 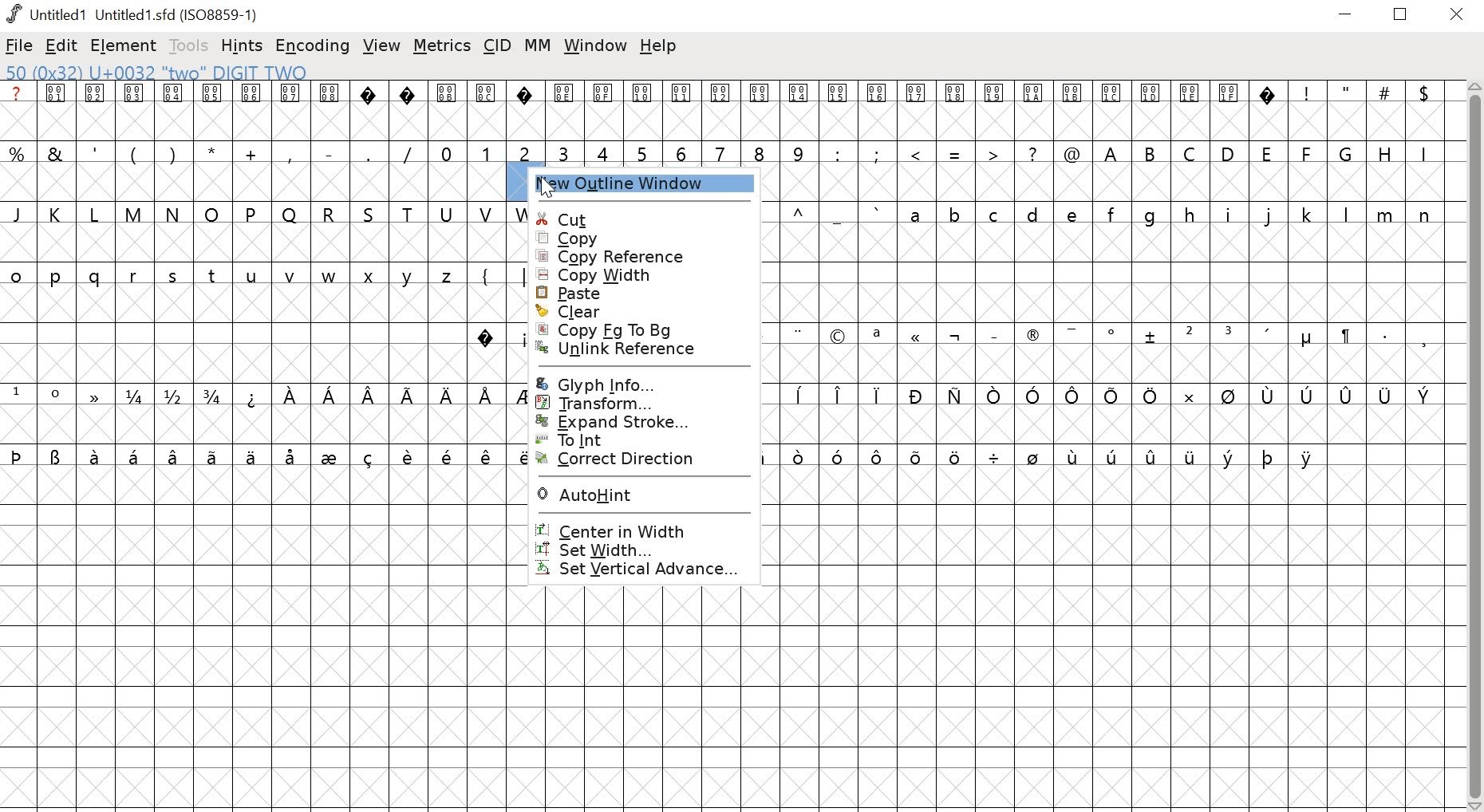 I want to click on restore down, so click(x=1405, y=17).